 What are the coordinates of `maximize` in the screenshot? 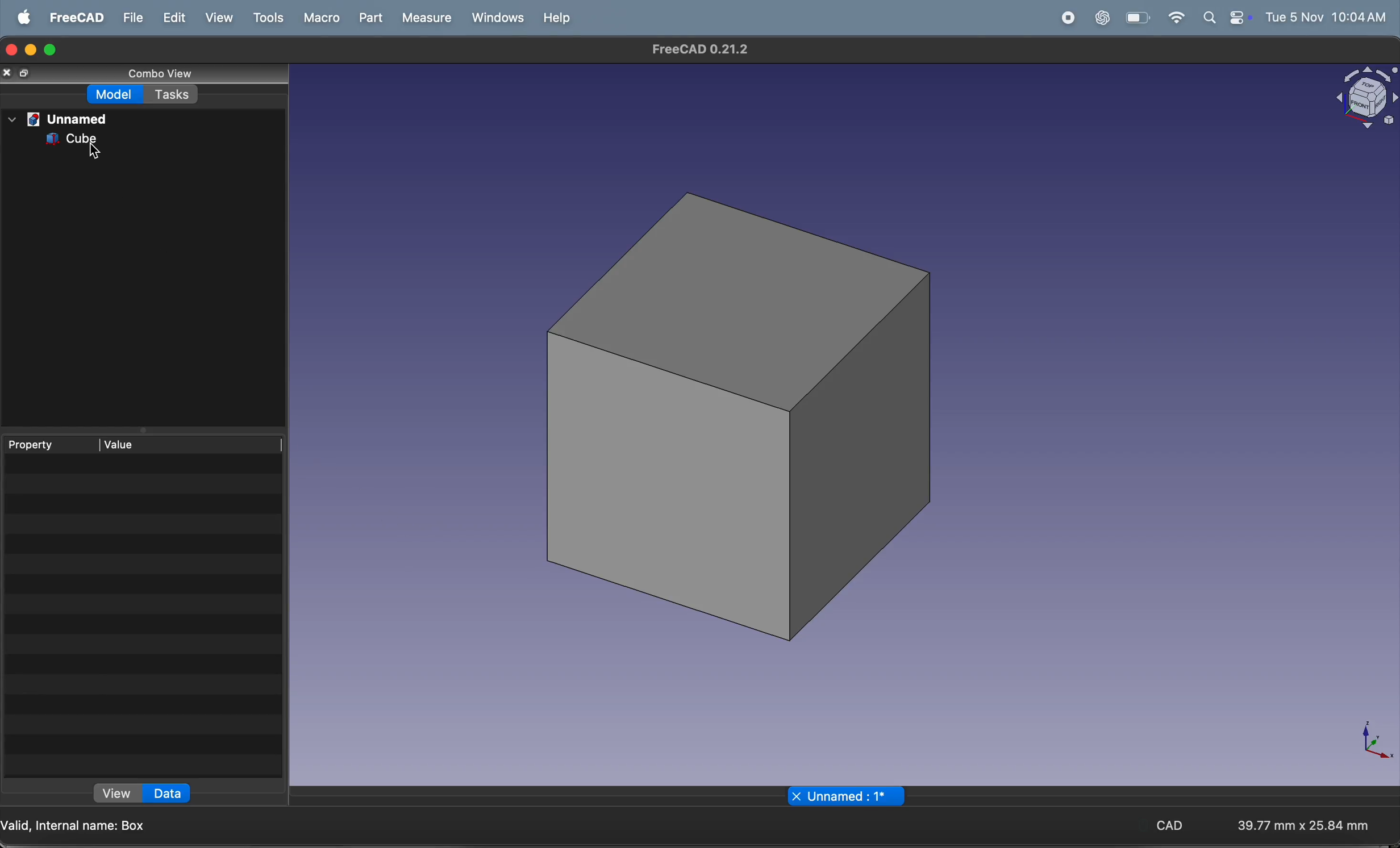 It's located at (53, 49).